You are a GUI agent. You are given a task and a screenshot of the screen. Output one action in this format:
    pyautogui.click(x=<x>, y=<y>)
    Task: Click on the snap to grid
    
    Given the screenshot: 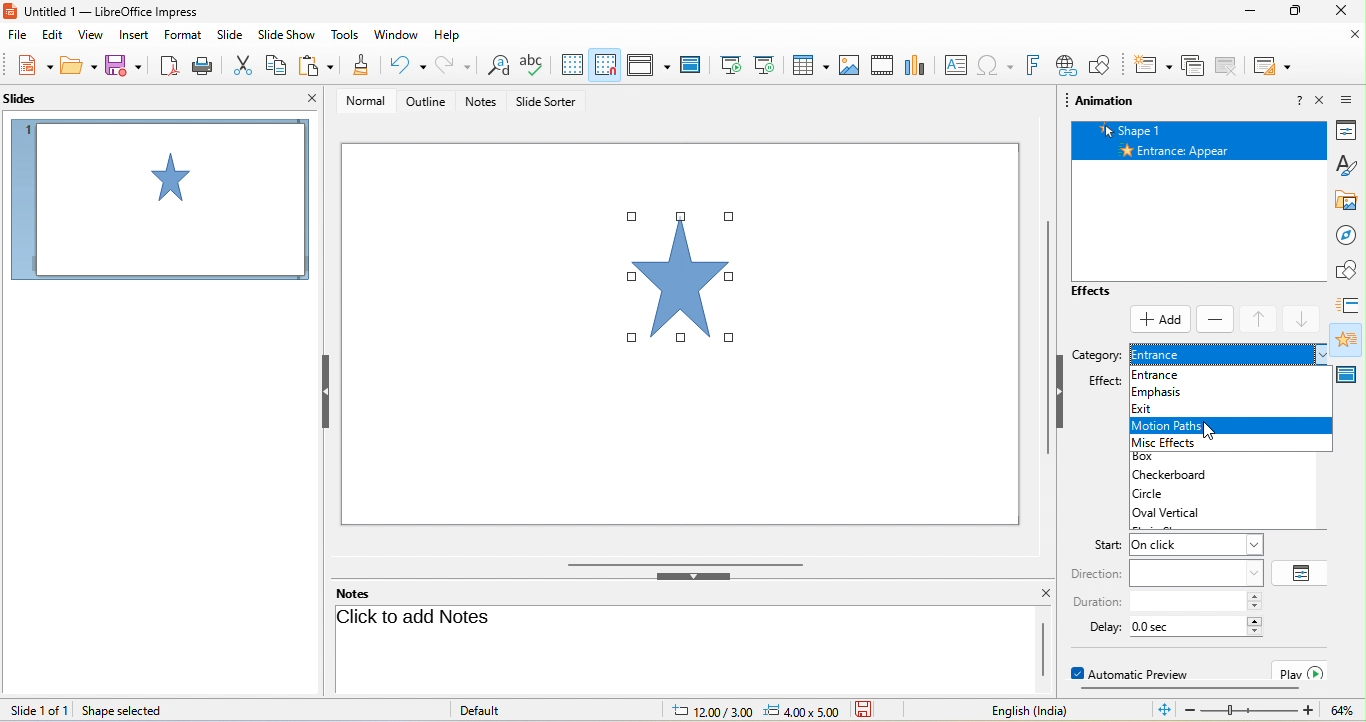 What is the action you would take?
    pyautogui.click(x=605, y=62)
    